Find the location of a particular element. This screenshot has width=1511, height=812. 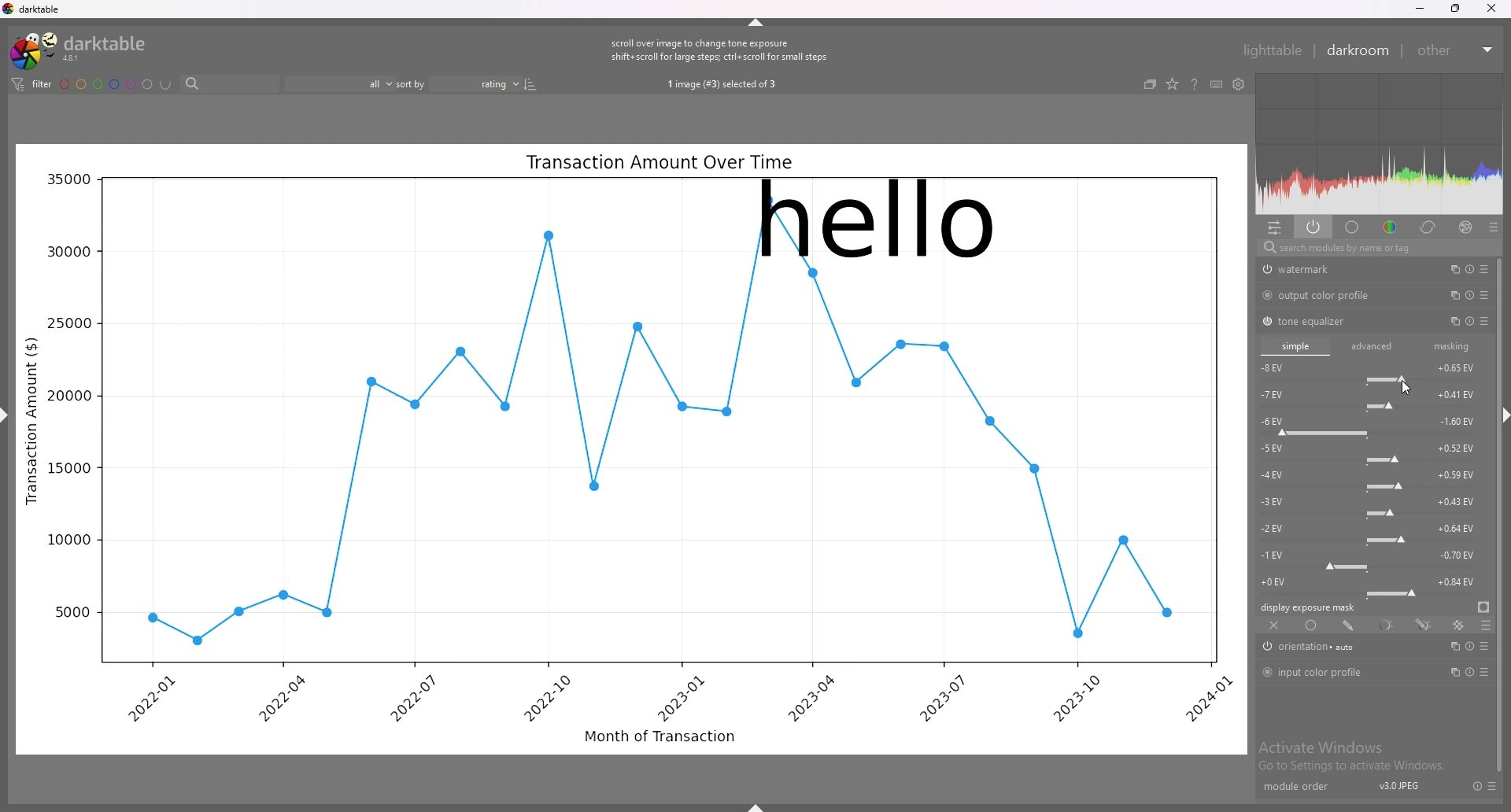

switch off/on is located at coordinates (1265, 321).